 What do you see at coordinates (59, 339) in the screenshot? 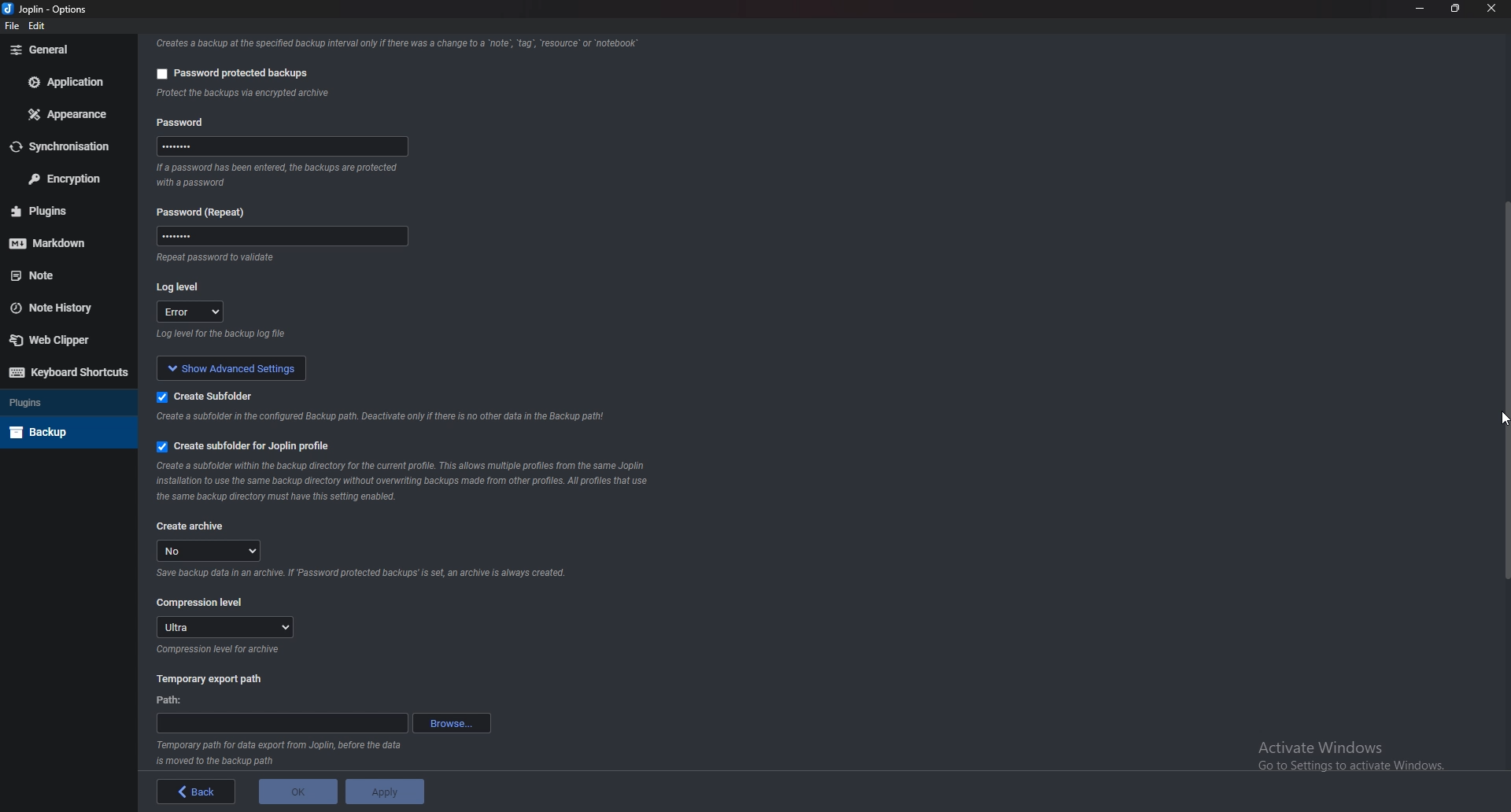
I see `Web clipper` at bounding box center [59, 339].